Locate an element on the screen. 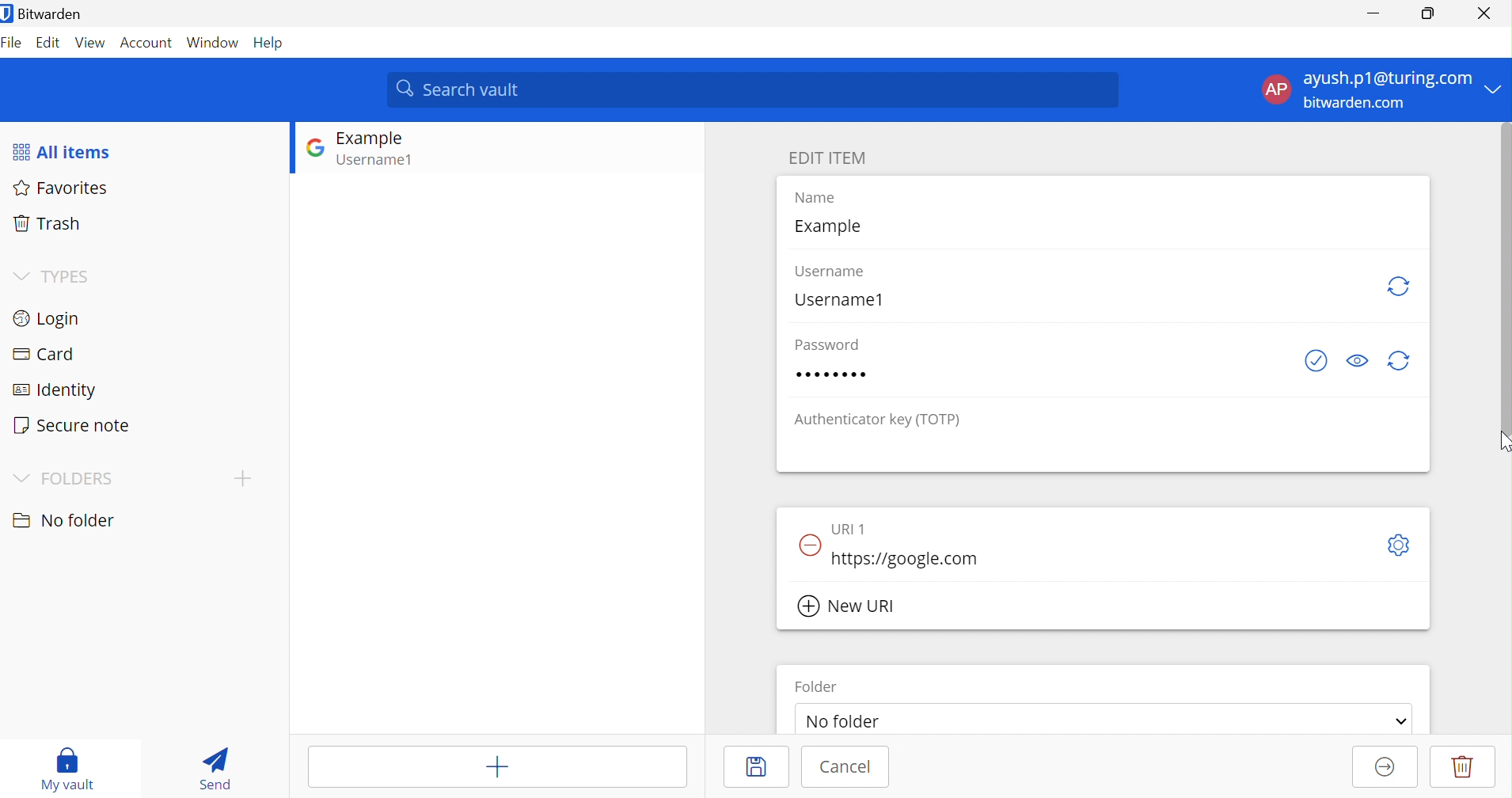 The height and width of the screenshot is (798, 1512).  is located at coordinates (848, 766).